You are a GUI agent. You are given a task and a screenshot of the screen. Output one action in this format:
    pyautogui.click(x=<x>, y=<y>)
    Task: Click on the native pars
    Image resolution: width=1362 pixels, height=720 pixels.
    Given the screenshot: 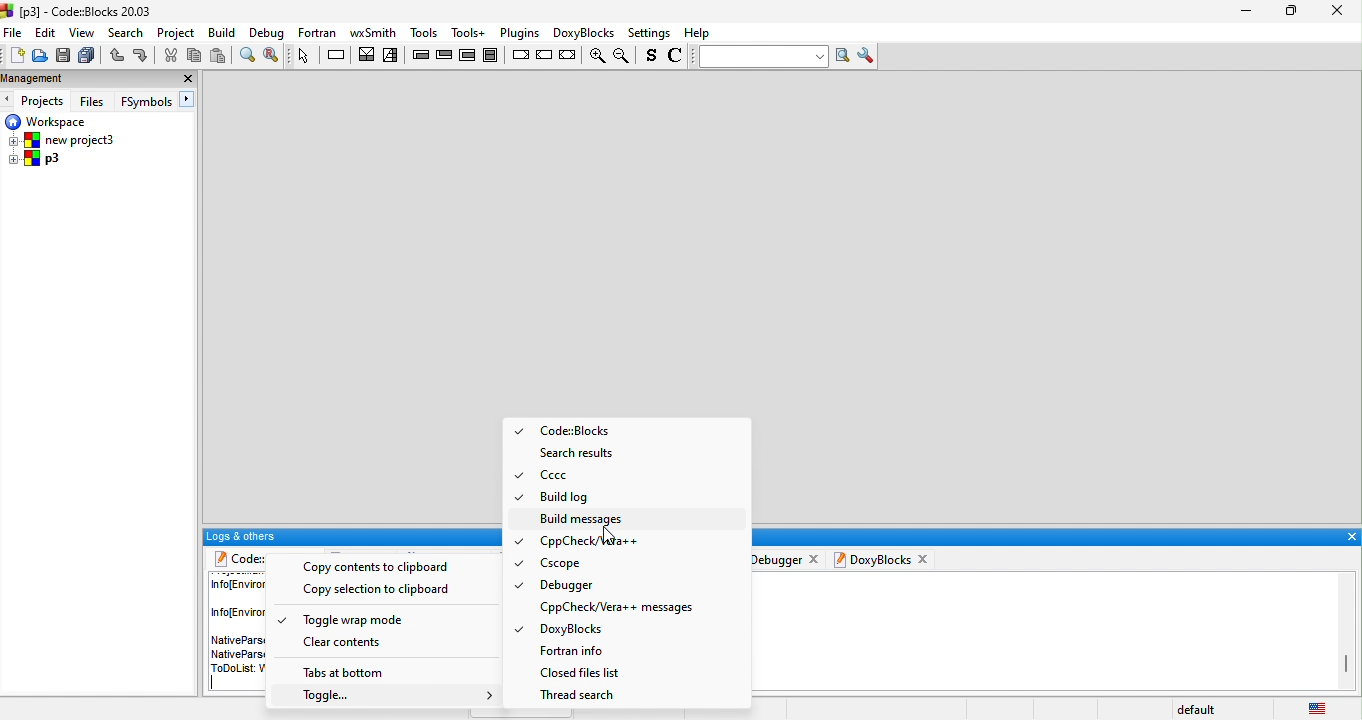 What is the action you would take?
    pyautogui.click(x=236, y=645)
    